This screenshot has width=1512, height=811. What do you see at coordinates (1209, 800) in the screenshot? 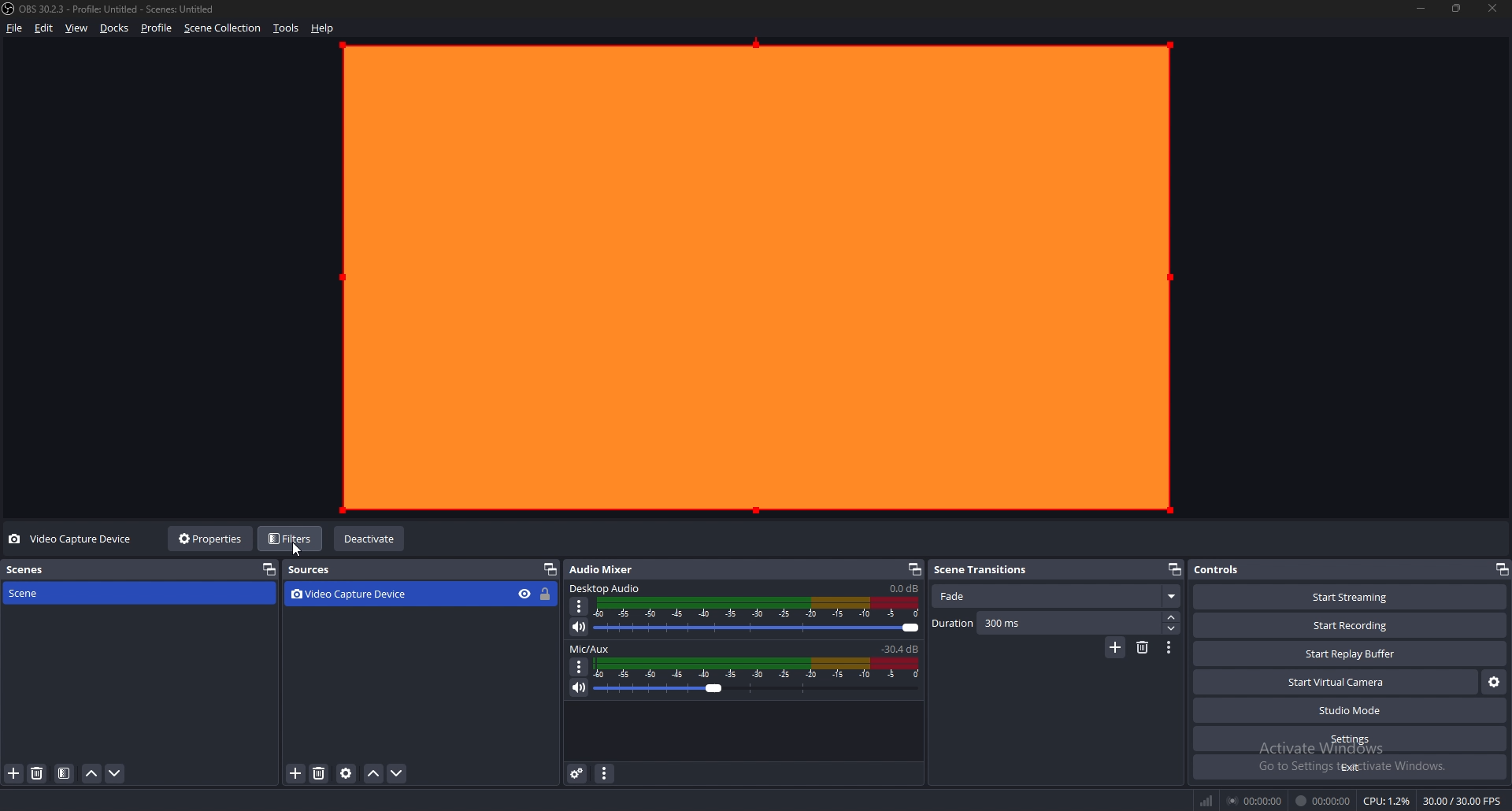
I see `network` at bounding box center [1209, 800].